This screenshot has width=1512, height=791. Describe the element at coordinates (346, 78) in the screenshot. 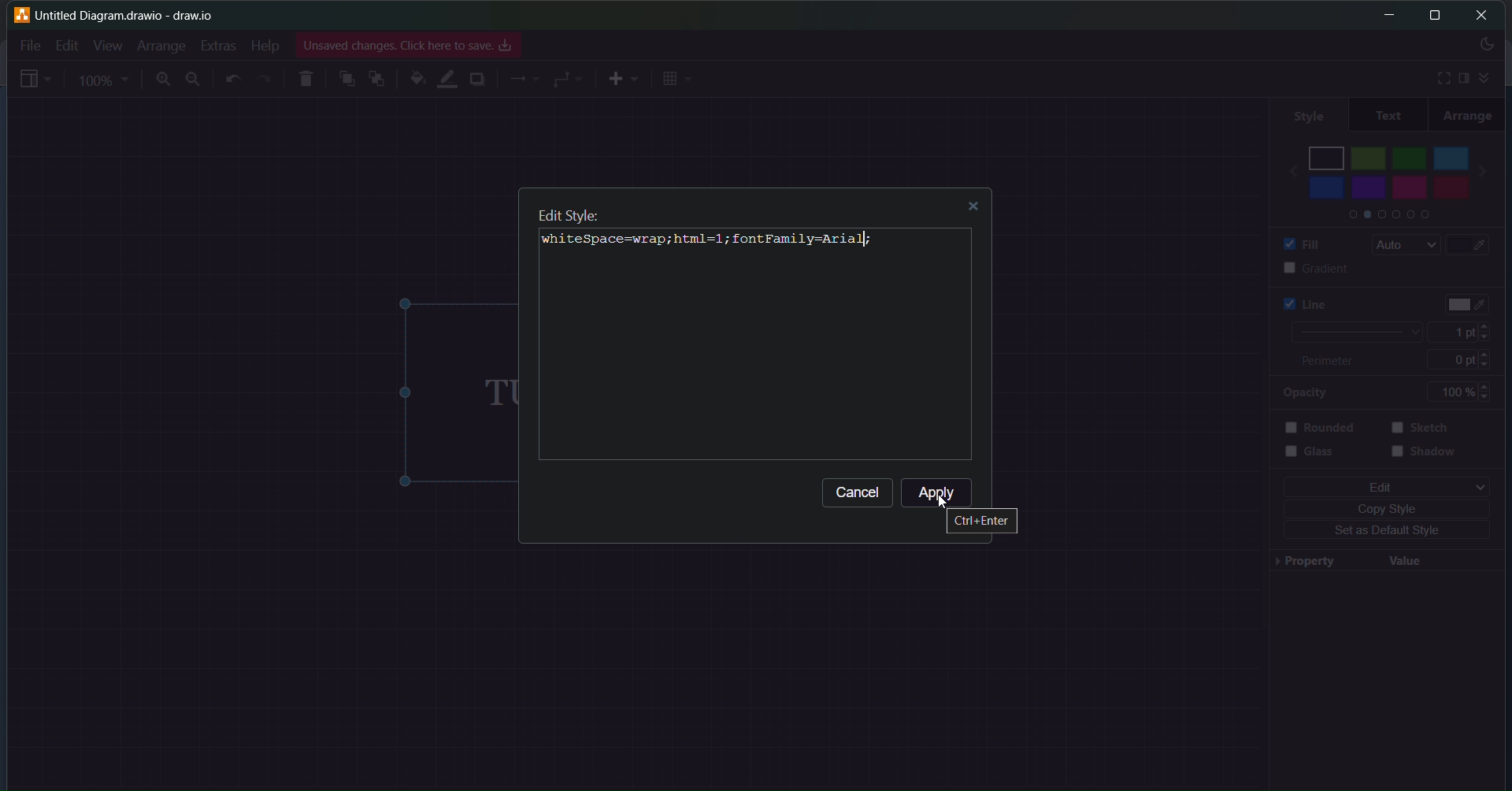

I see `to front` at that location.